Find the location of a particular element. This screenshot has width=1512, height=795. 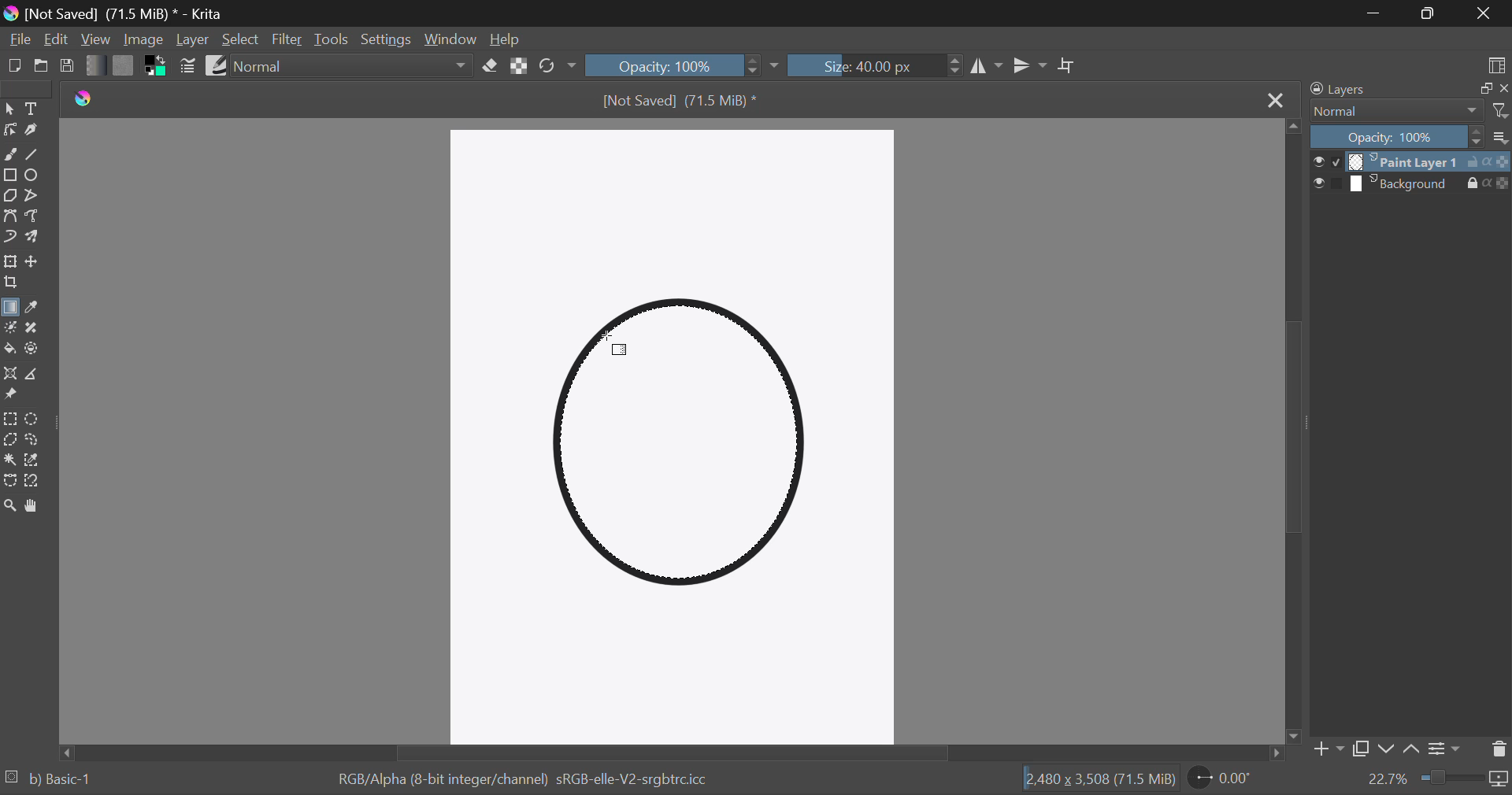

zoom value is located at coordinates (1389, 779).